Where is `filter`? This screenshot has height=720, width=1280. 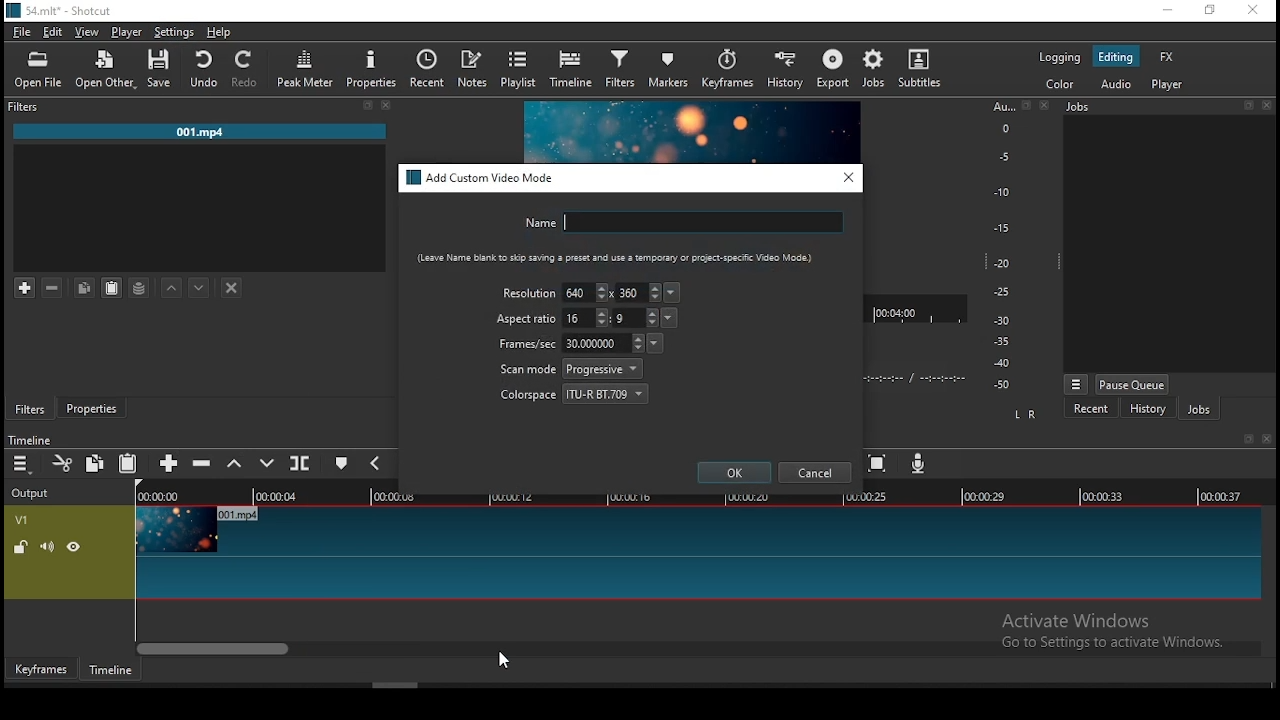 filter is located at coordinates (621, 70).